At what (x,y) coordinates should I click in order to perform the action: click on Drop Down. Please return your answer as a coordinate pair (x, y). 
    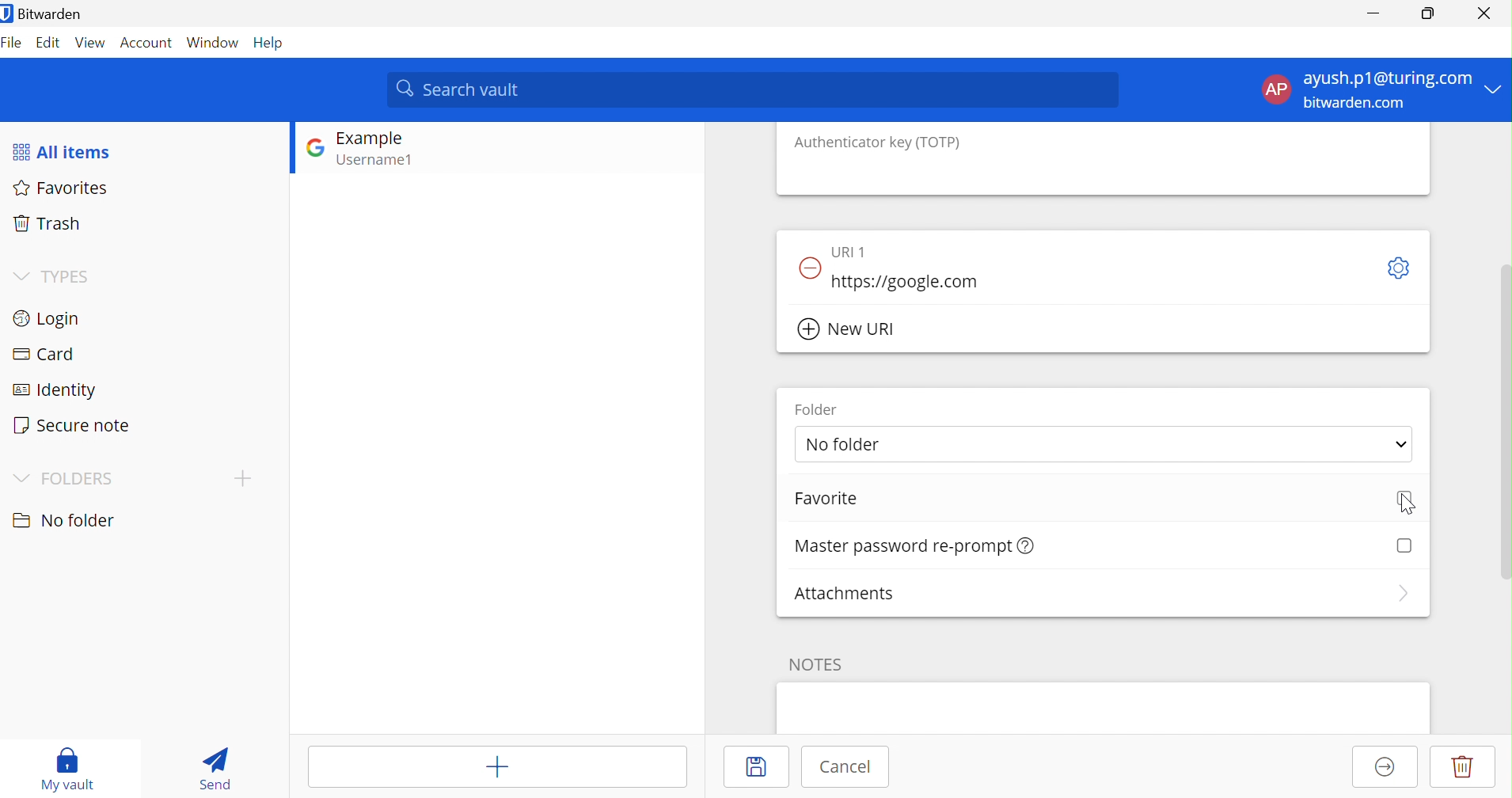
    Looking at the image, I should click on (18, 475).